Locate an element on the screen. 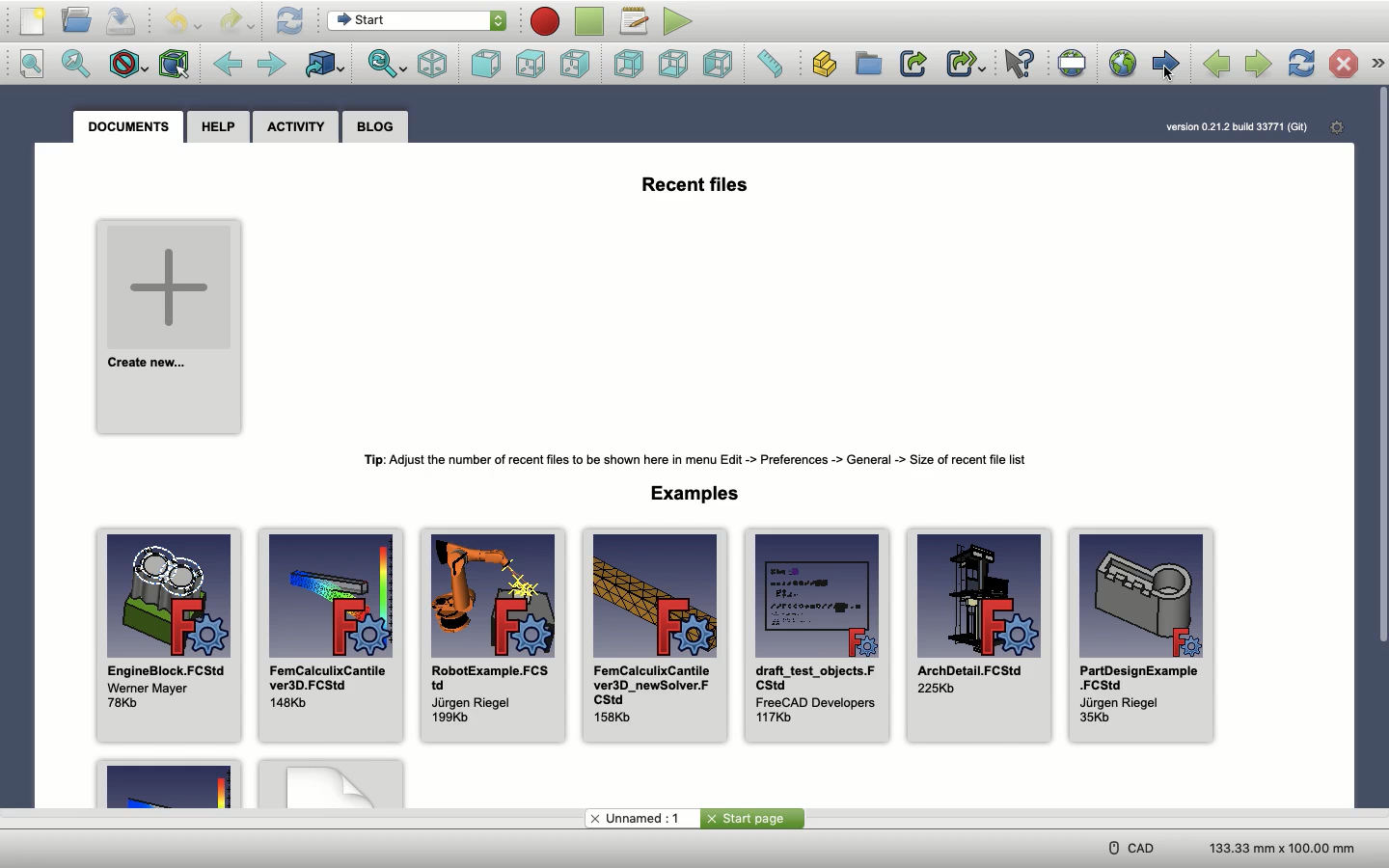 The height and width of the screenshot is (868, 1389). Next page is located at coordinates (1258, 66).